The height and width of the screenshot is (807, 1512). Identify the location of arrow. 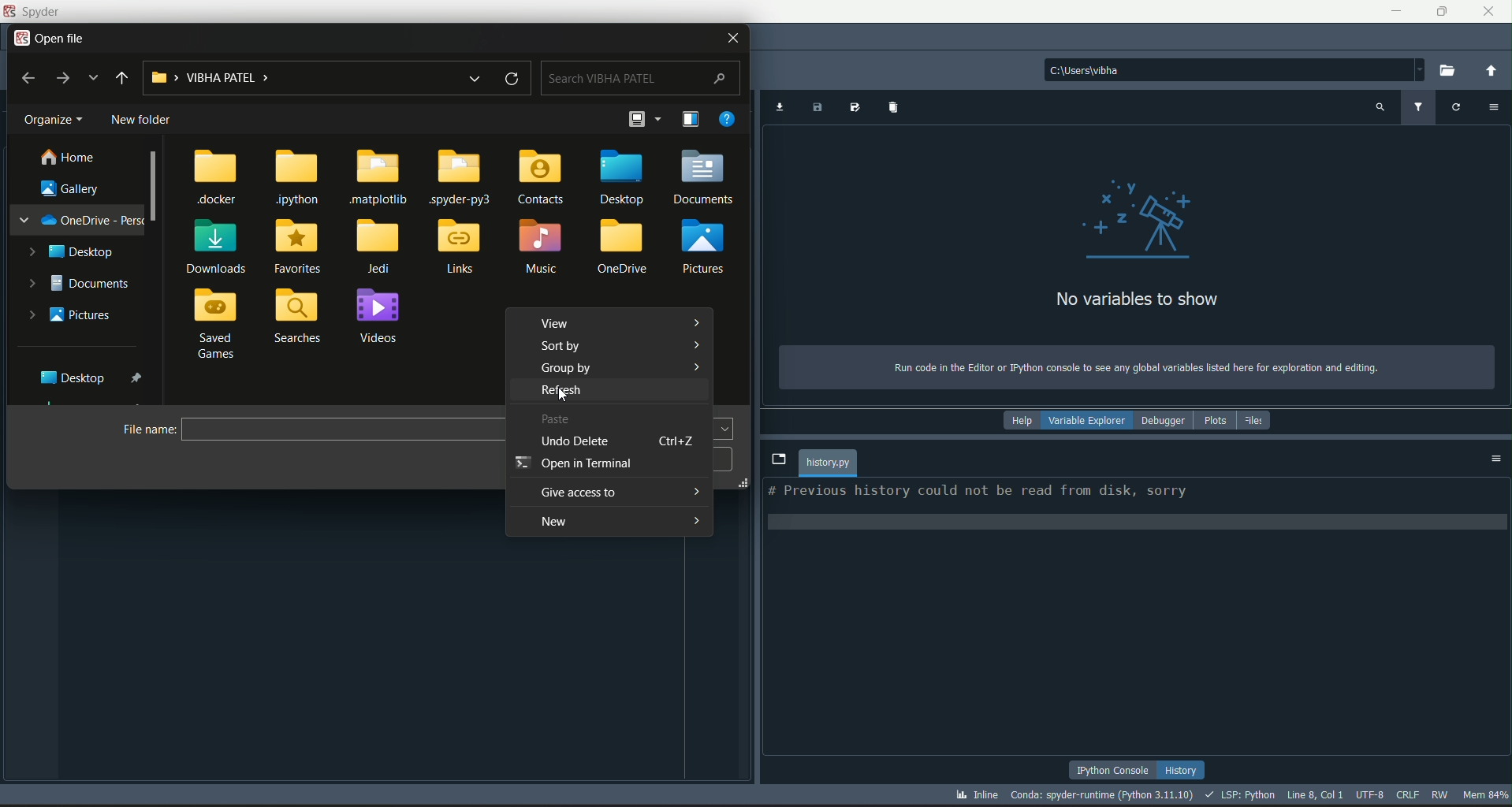
(698, 520).